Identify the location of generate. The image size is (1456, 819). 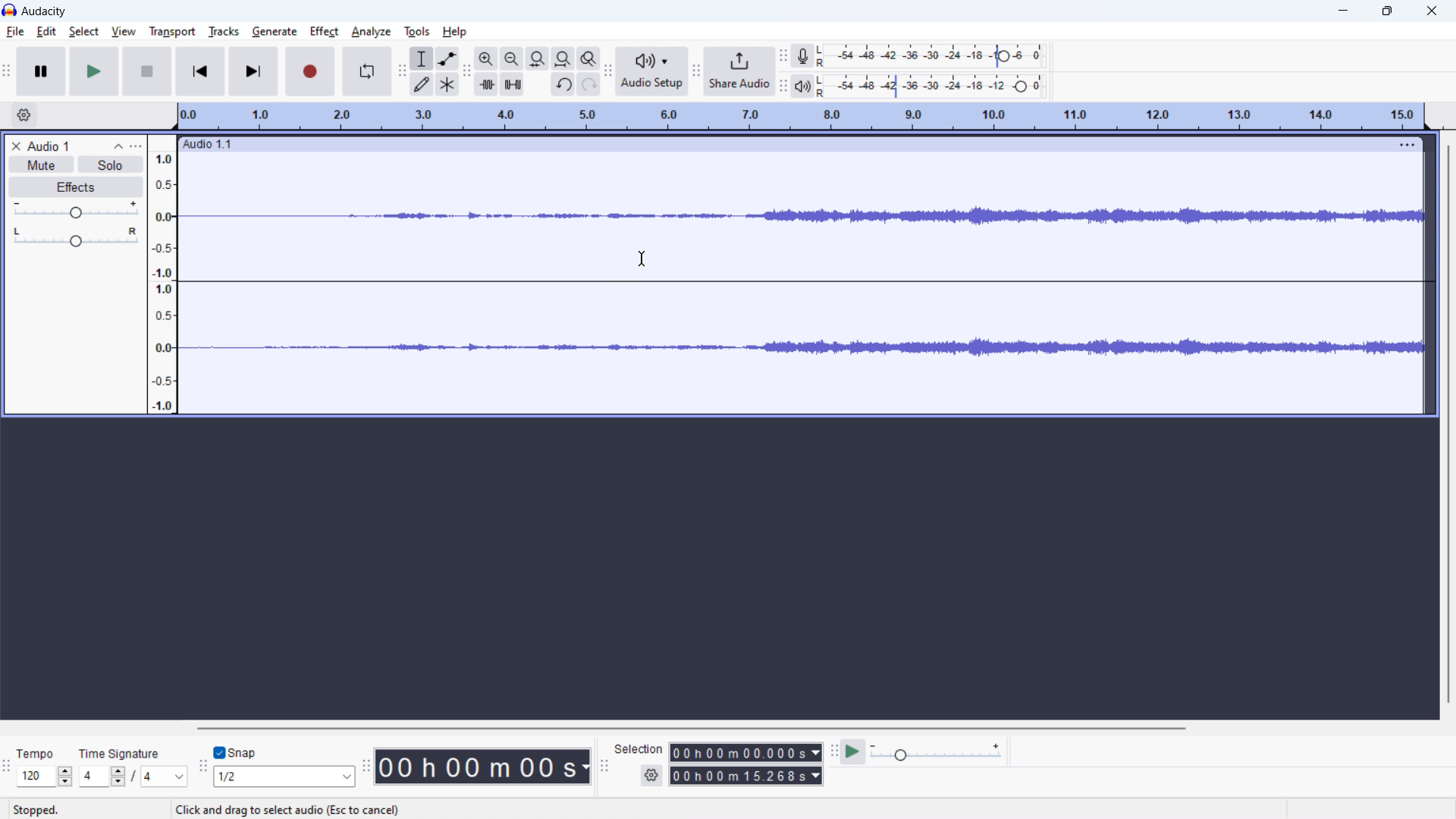
(275, 31).